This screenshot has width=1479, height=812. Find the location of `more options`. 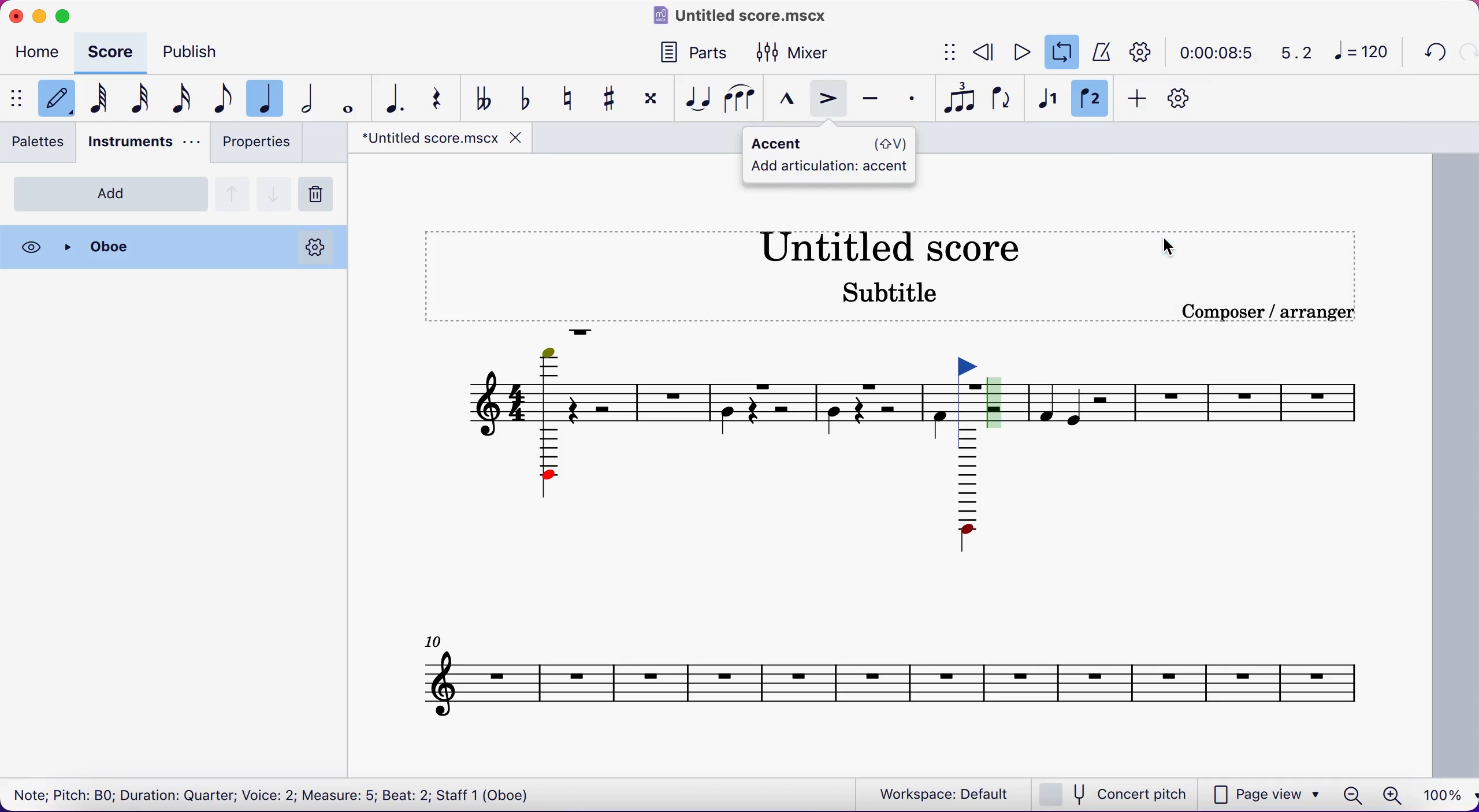

more options is located at coordinates (315, 247).